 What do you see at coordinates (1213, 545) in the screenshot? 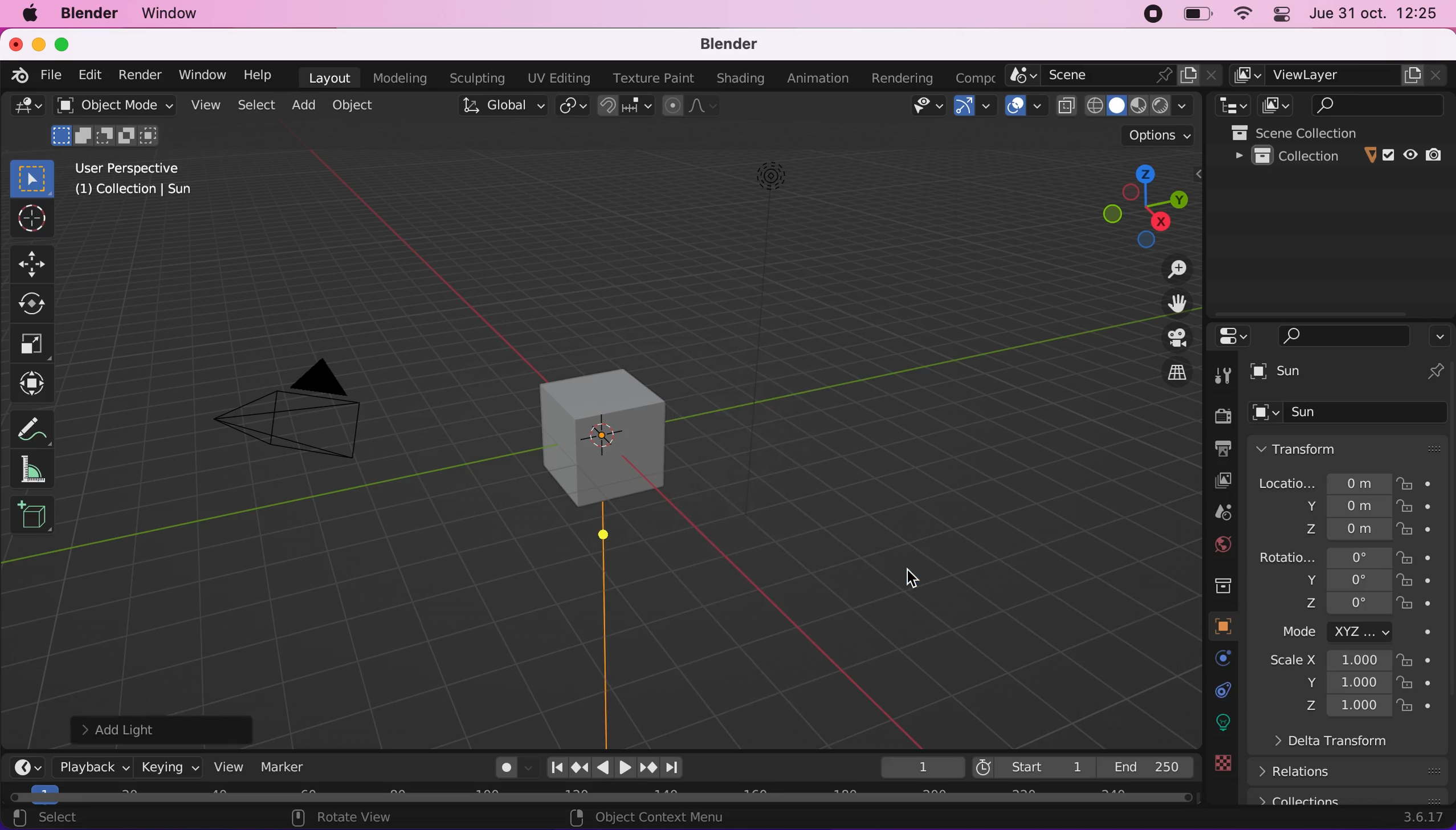
I see `world` at bounding box center [1213, 545].